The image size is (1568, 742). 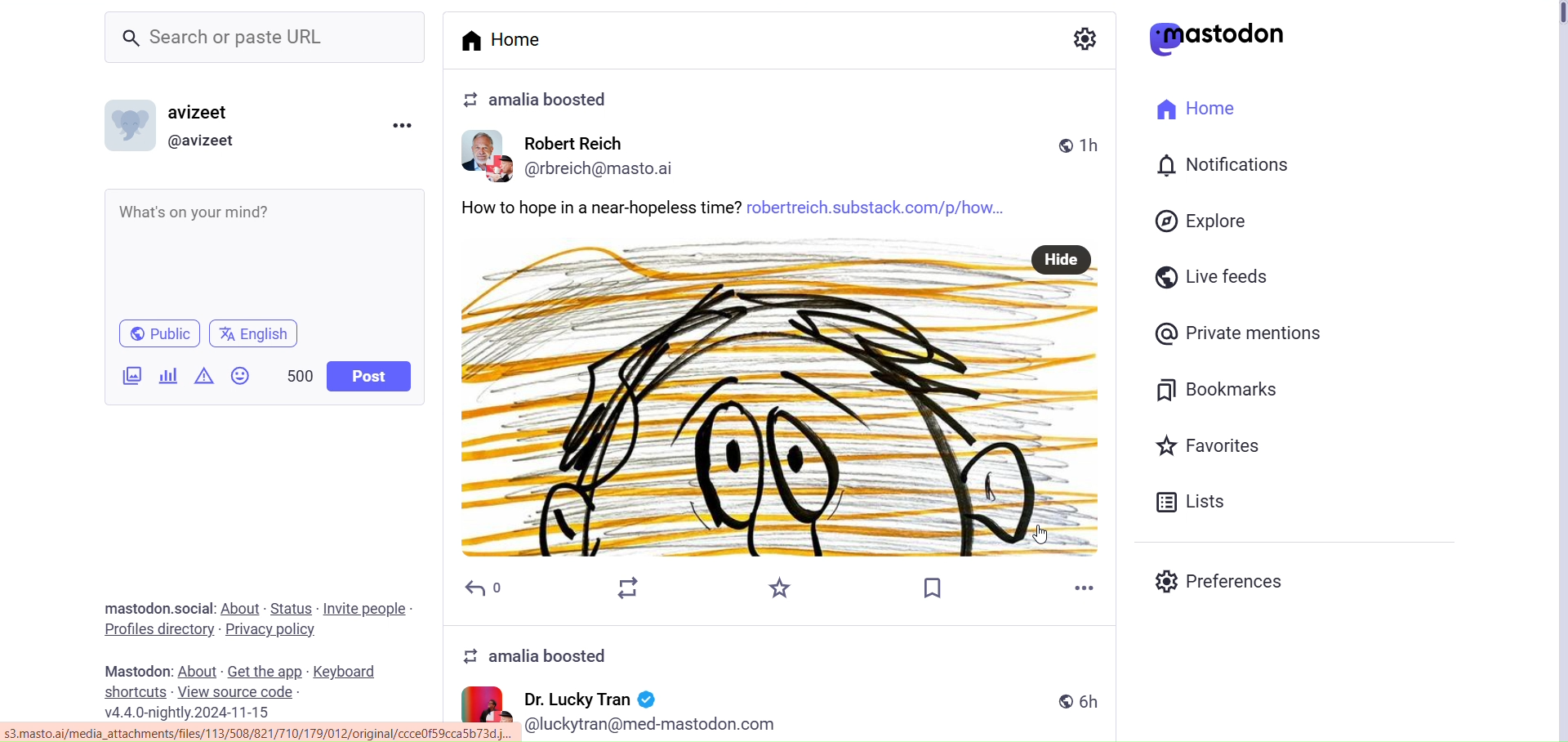 I want to click on Emojis, so click(x=242, y=374).